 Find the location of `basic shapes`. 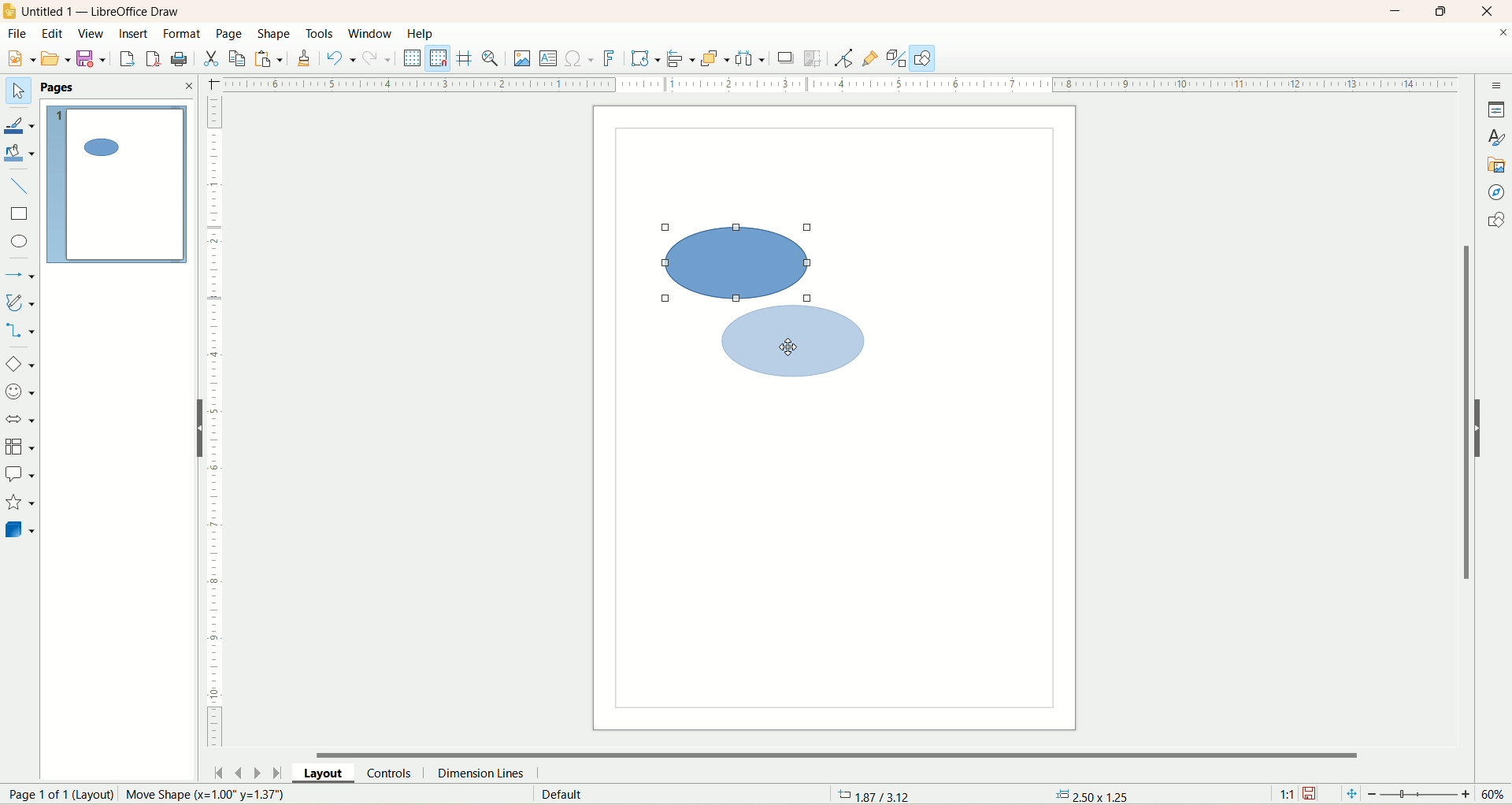

basic shapes is located at coordinates (19, 364).